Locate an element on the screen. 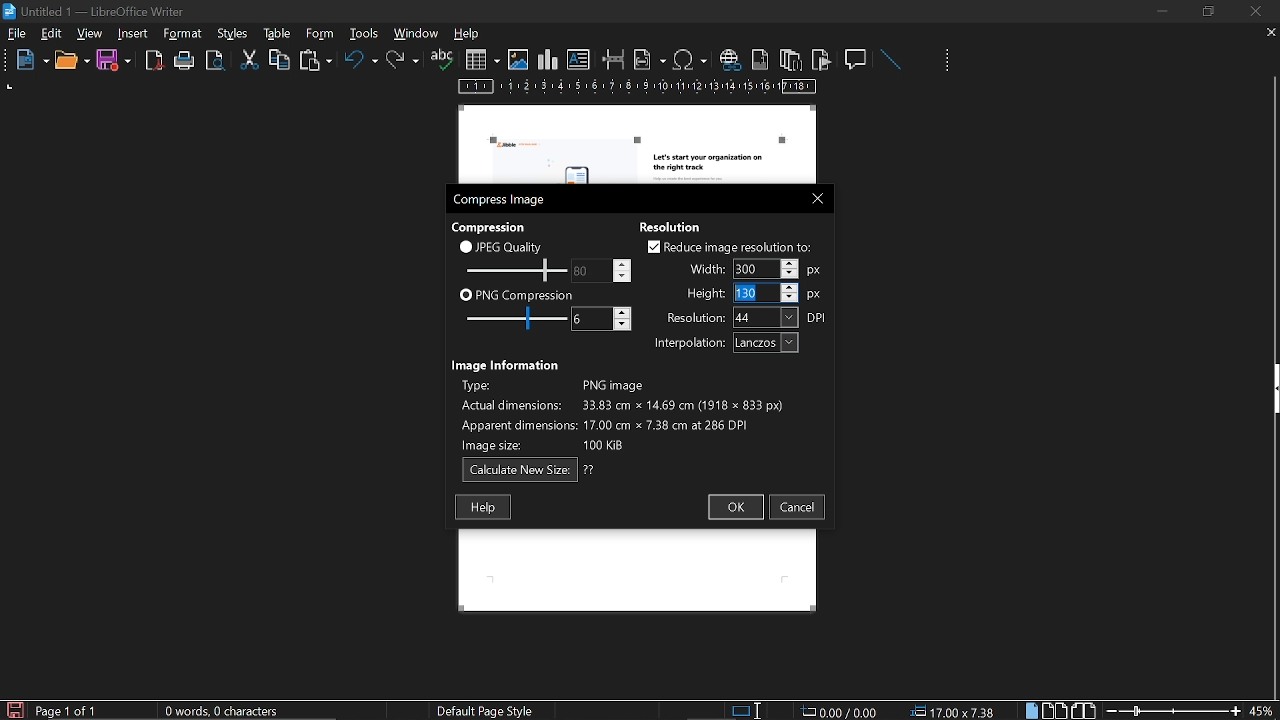  jpeg quality scale is located at coordinates (513, 269).